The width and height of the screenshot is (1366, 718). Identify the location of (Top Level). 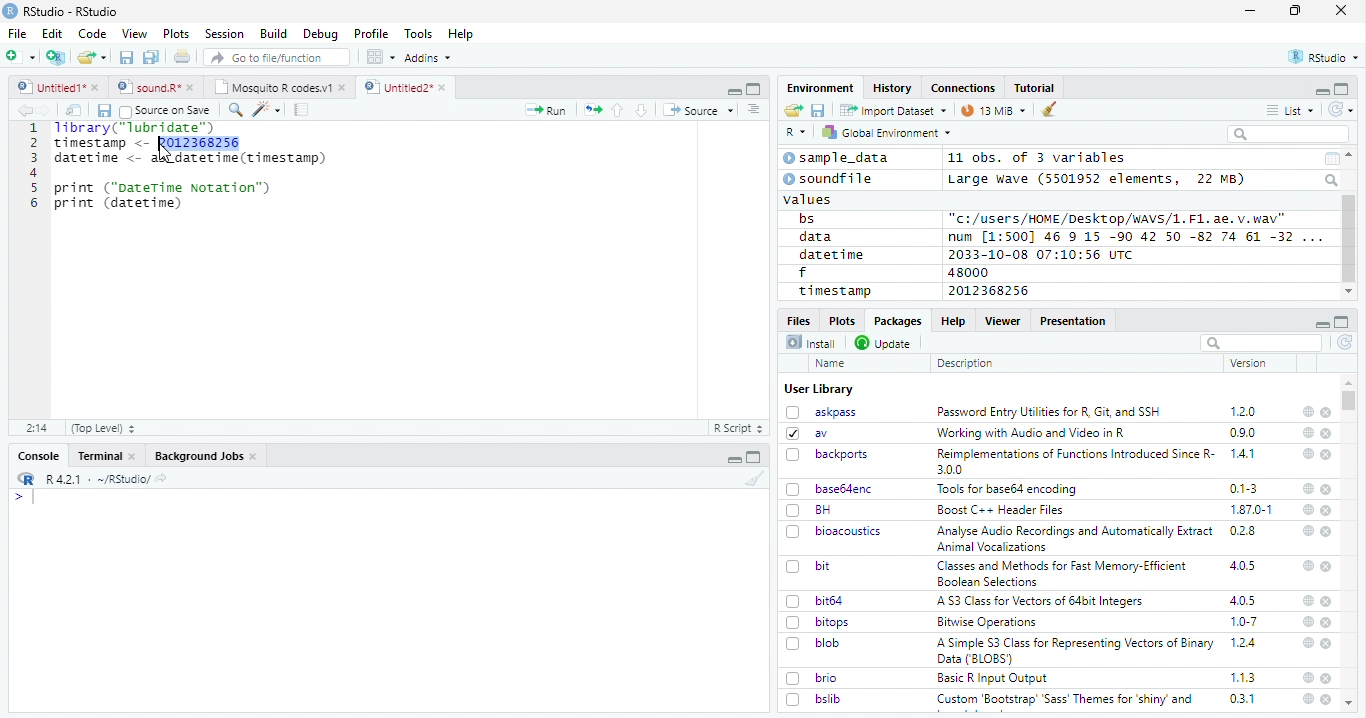
(102, 428).